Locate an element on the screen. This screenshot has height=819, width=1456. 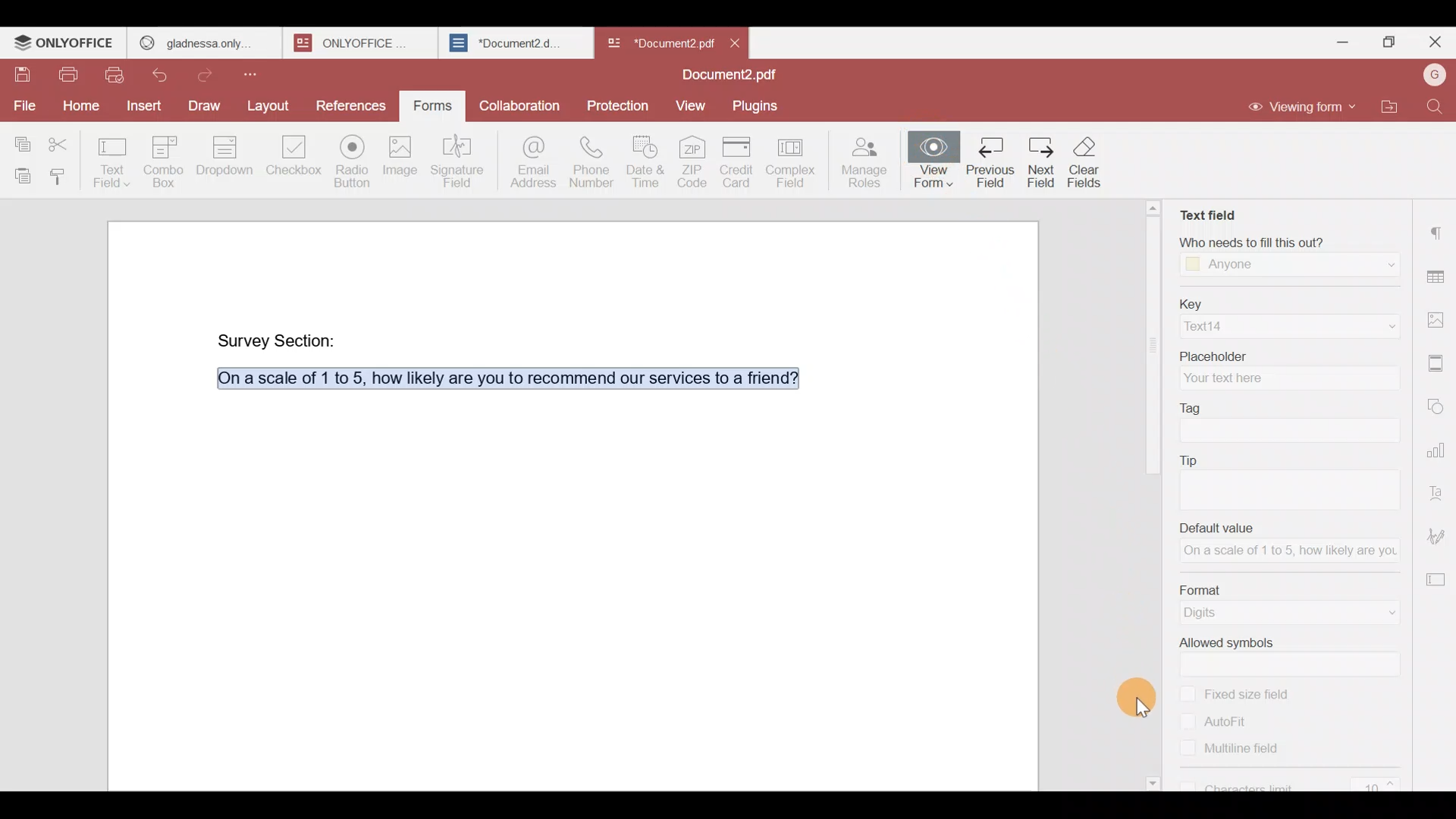
Account name is located at coordinates (1434, 75).